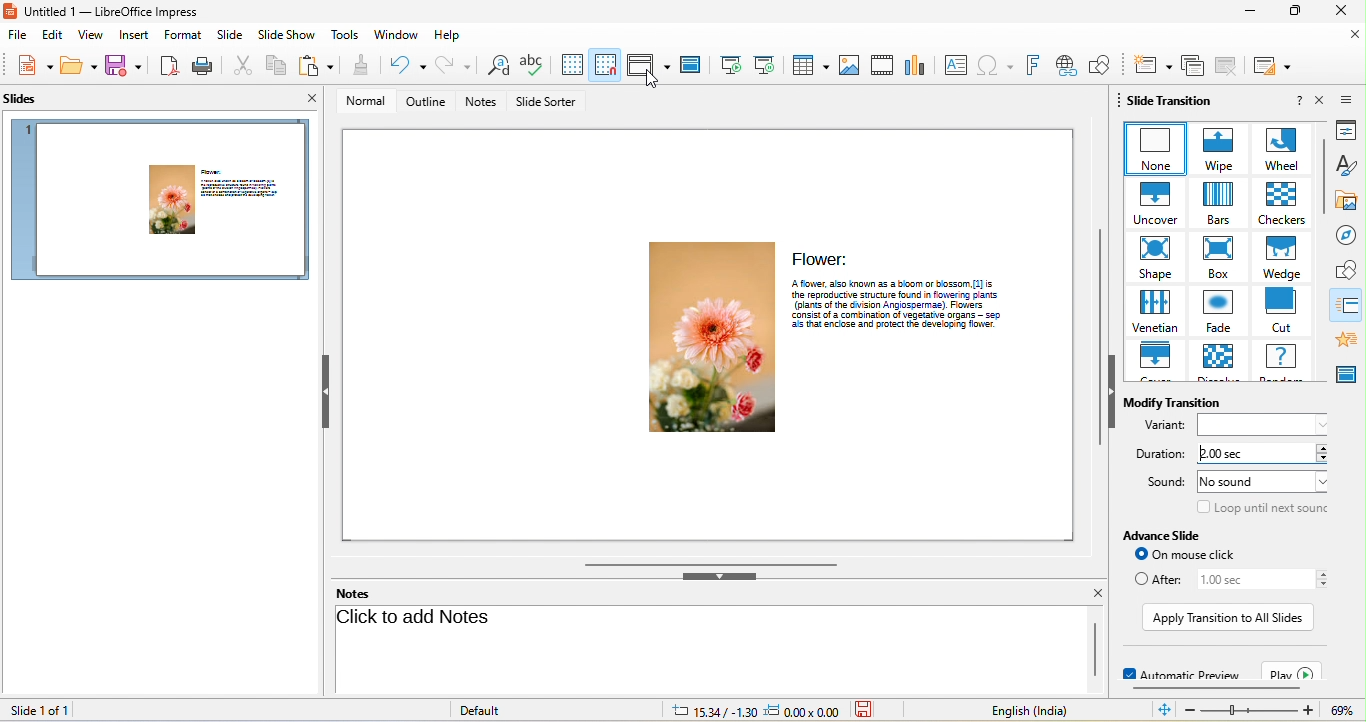  Describe the element at coordinates (1164, 426) in the screenshot. I see `variants` at that location.